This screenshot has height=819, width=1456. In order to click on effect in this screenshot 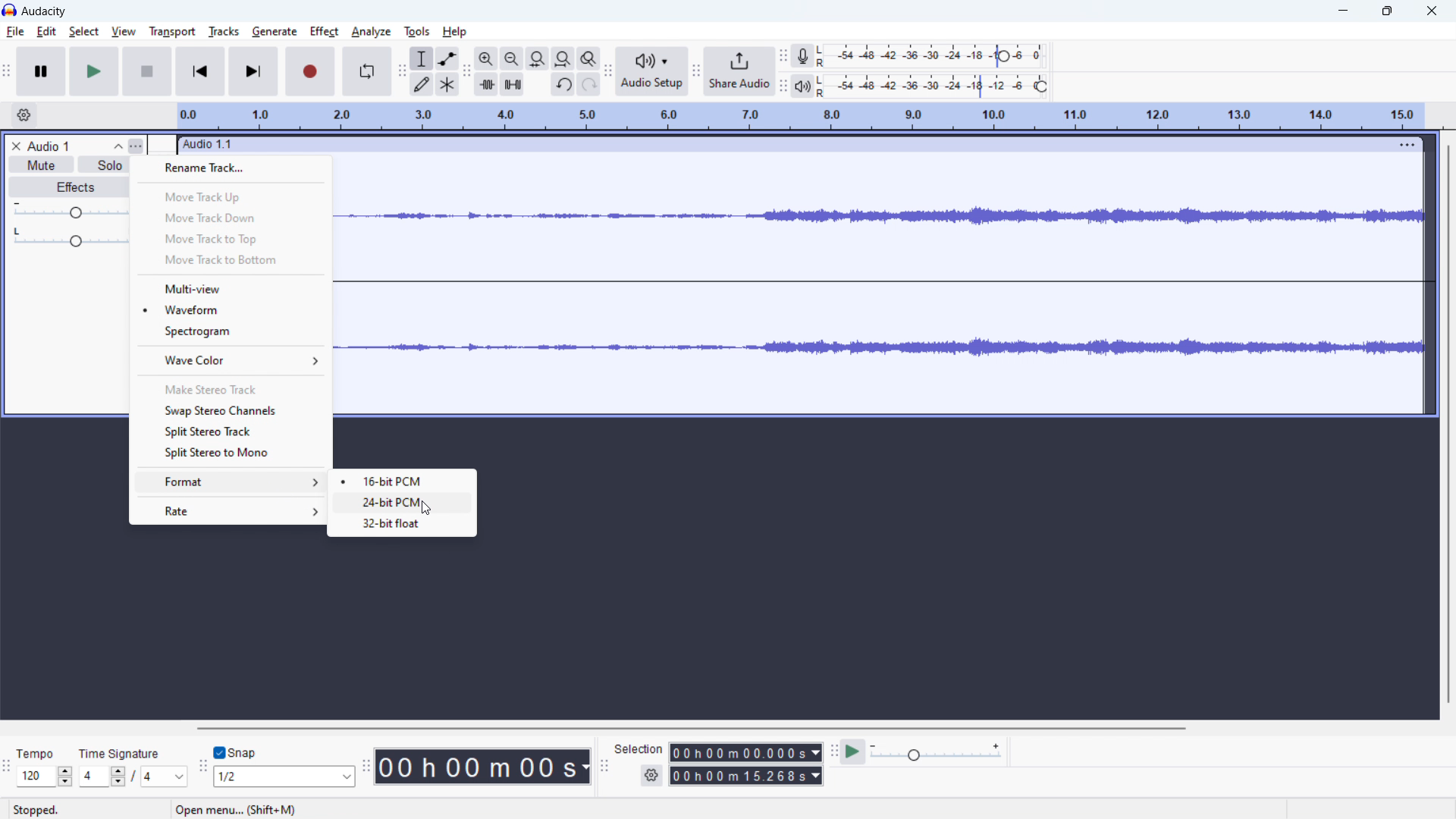, I will do `click(325, 32)`.